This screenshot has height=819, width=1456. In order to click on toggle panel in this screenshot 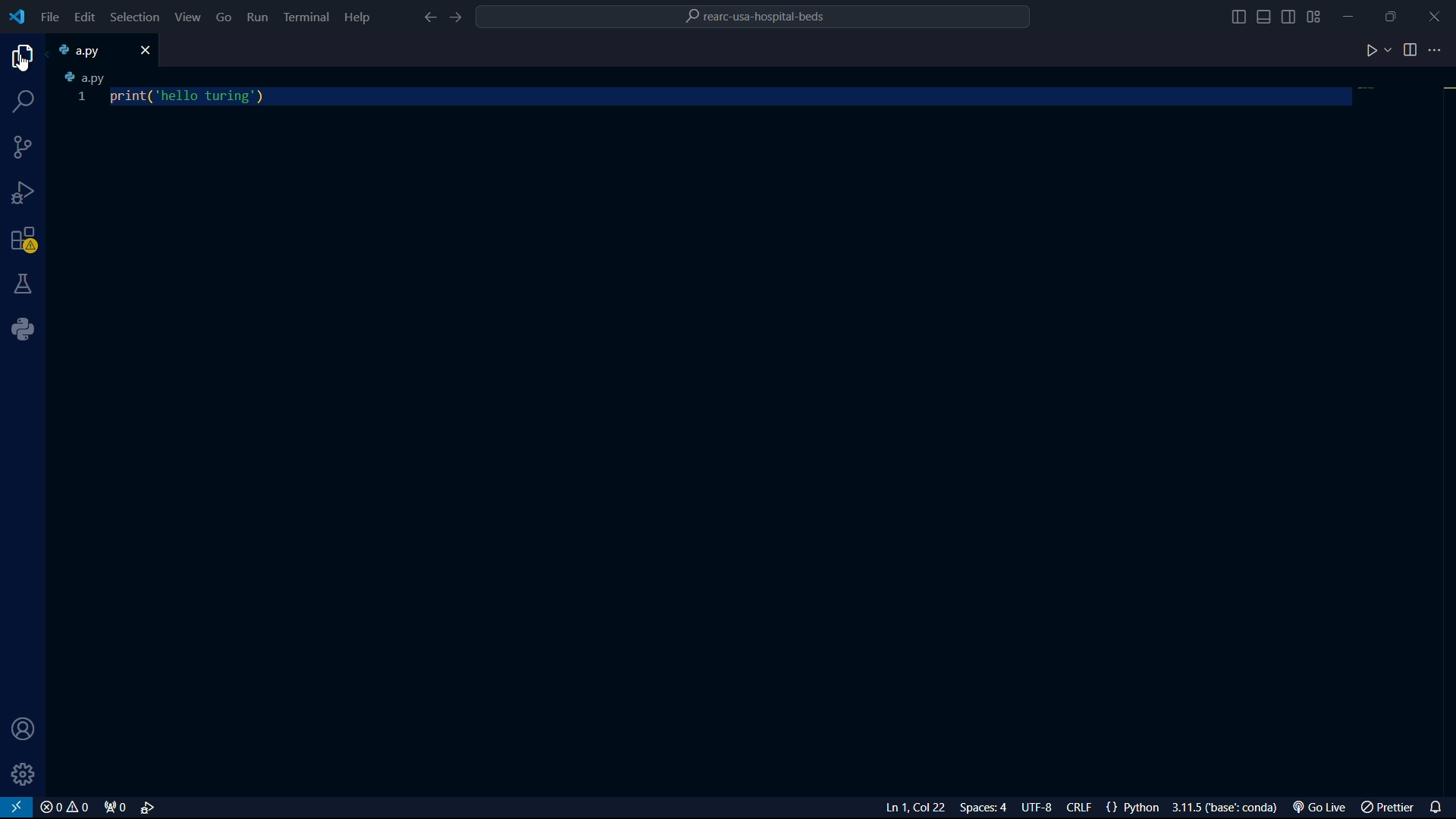, I will do `click(1266, 17)`.